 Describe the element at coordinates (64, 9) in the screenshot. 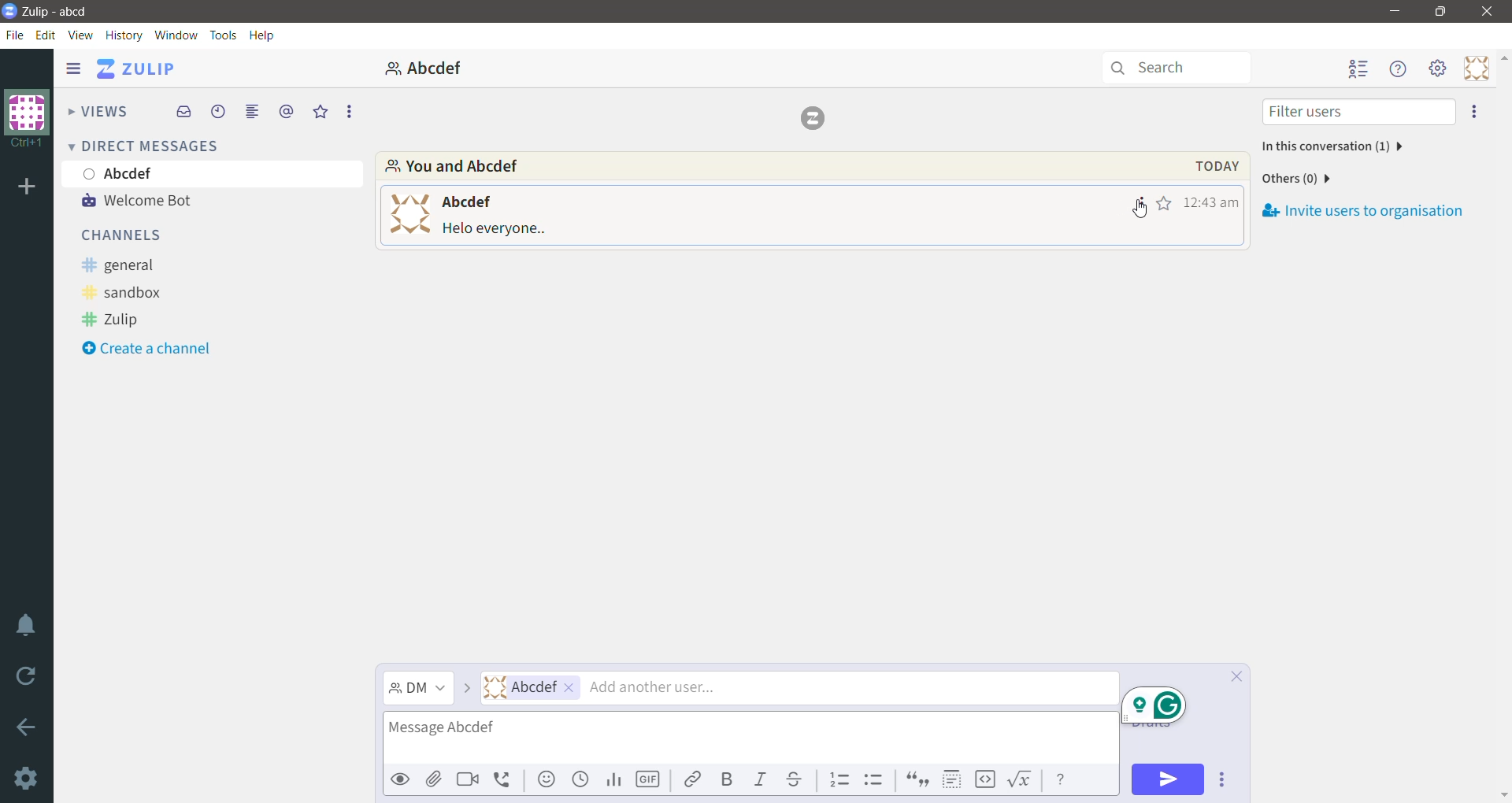

I see `Application Name - Organization Name` at that location.